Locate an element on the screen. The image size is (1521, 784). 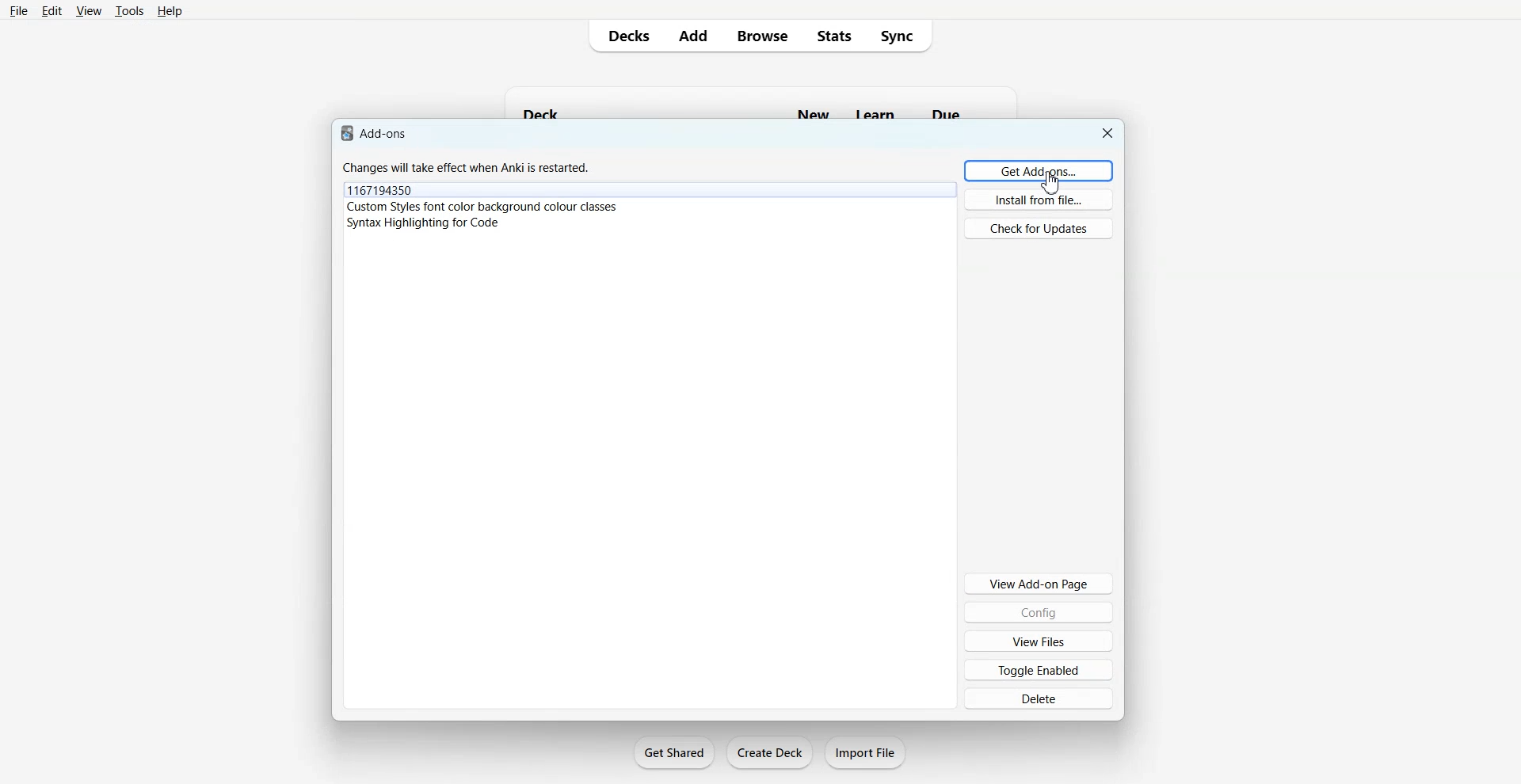
File is located at coordinates (19, 10).